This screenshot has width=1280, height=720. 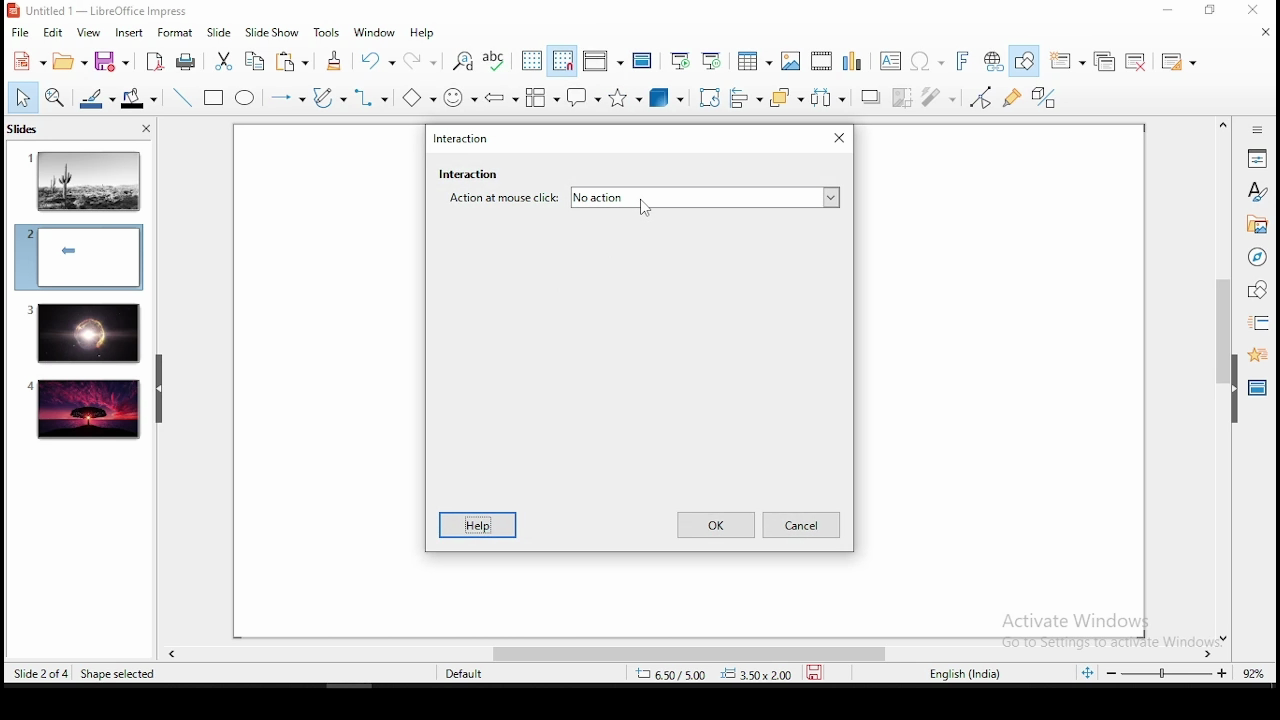 I want to click on scroll bar, so click(x=681, y=654).